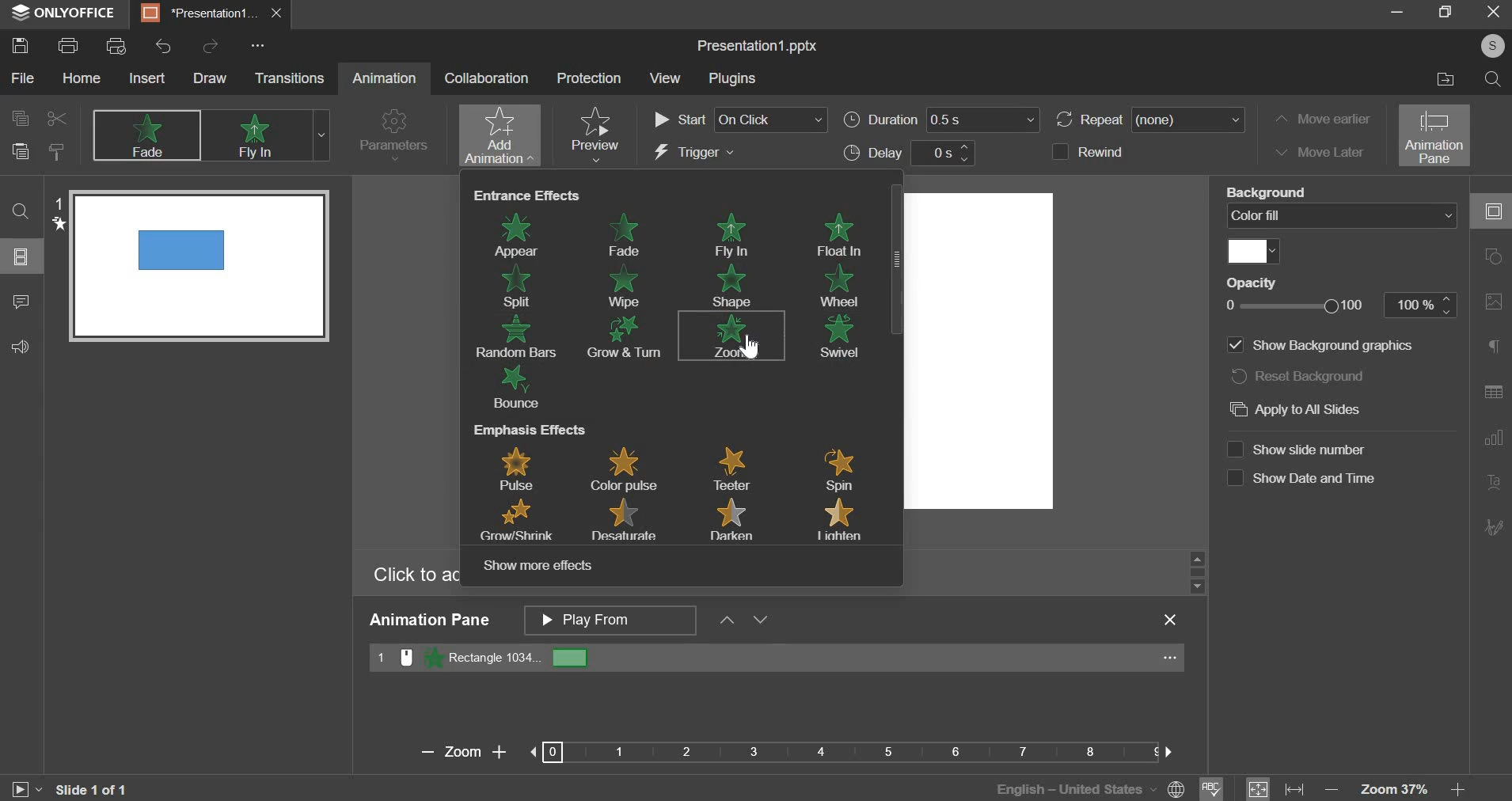 This screenshot has width=1512, height=801. What do you see at coordinates (21, 347) in the screenshot?
I see `feedback` at bounding box center [21, 347].